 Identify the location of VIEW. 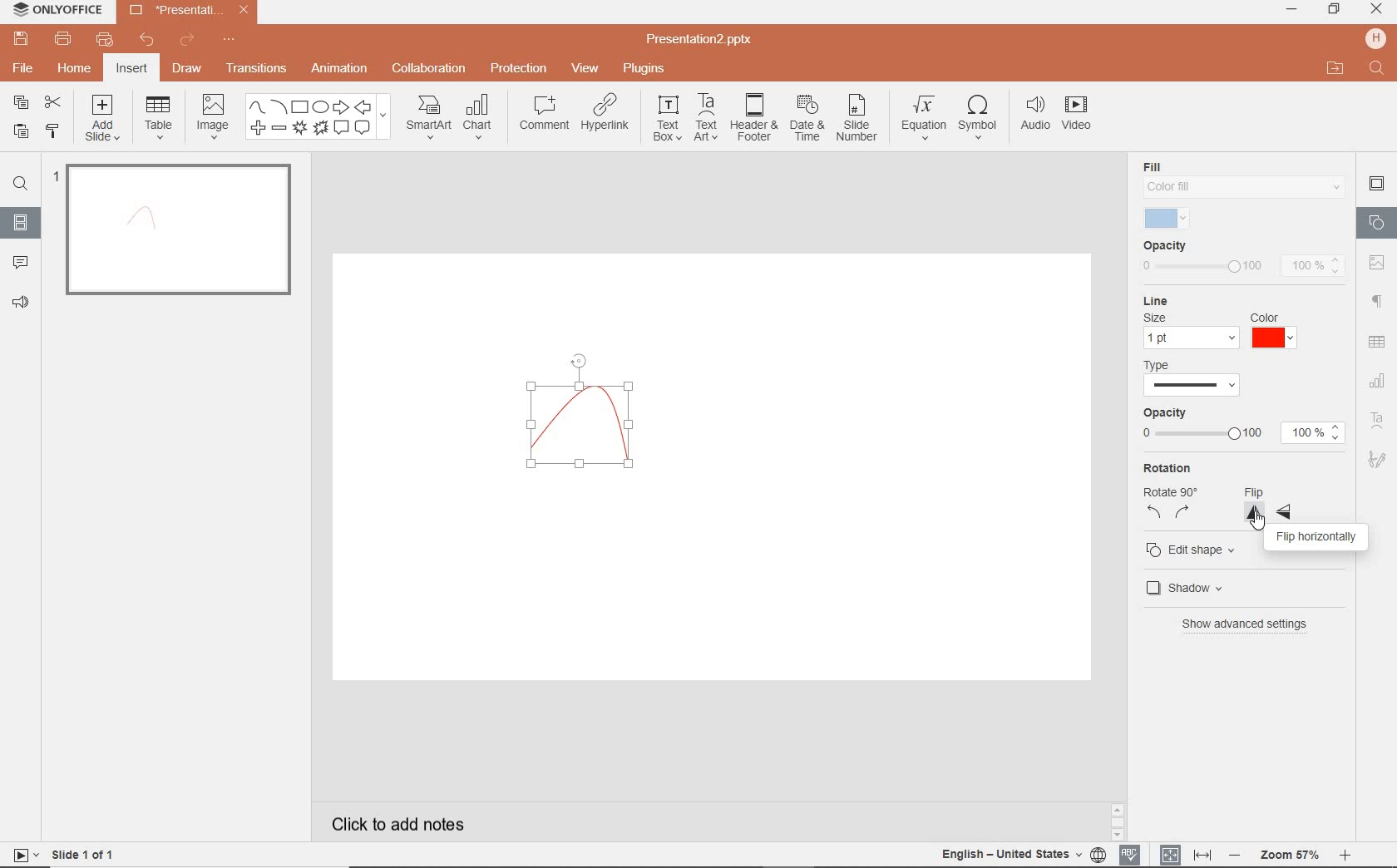
(585, 67).